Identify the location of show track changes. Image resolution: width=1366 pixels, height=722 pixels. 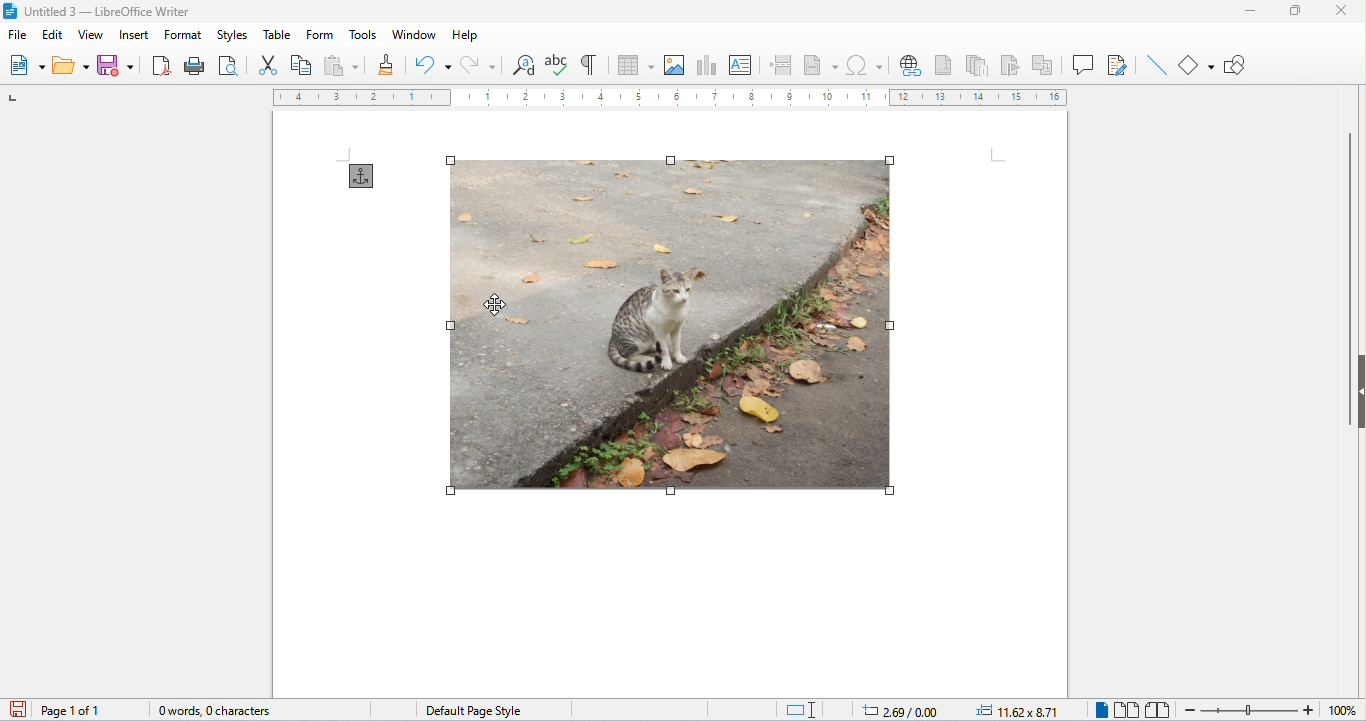
(1118, 65).